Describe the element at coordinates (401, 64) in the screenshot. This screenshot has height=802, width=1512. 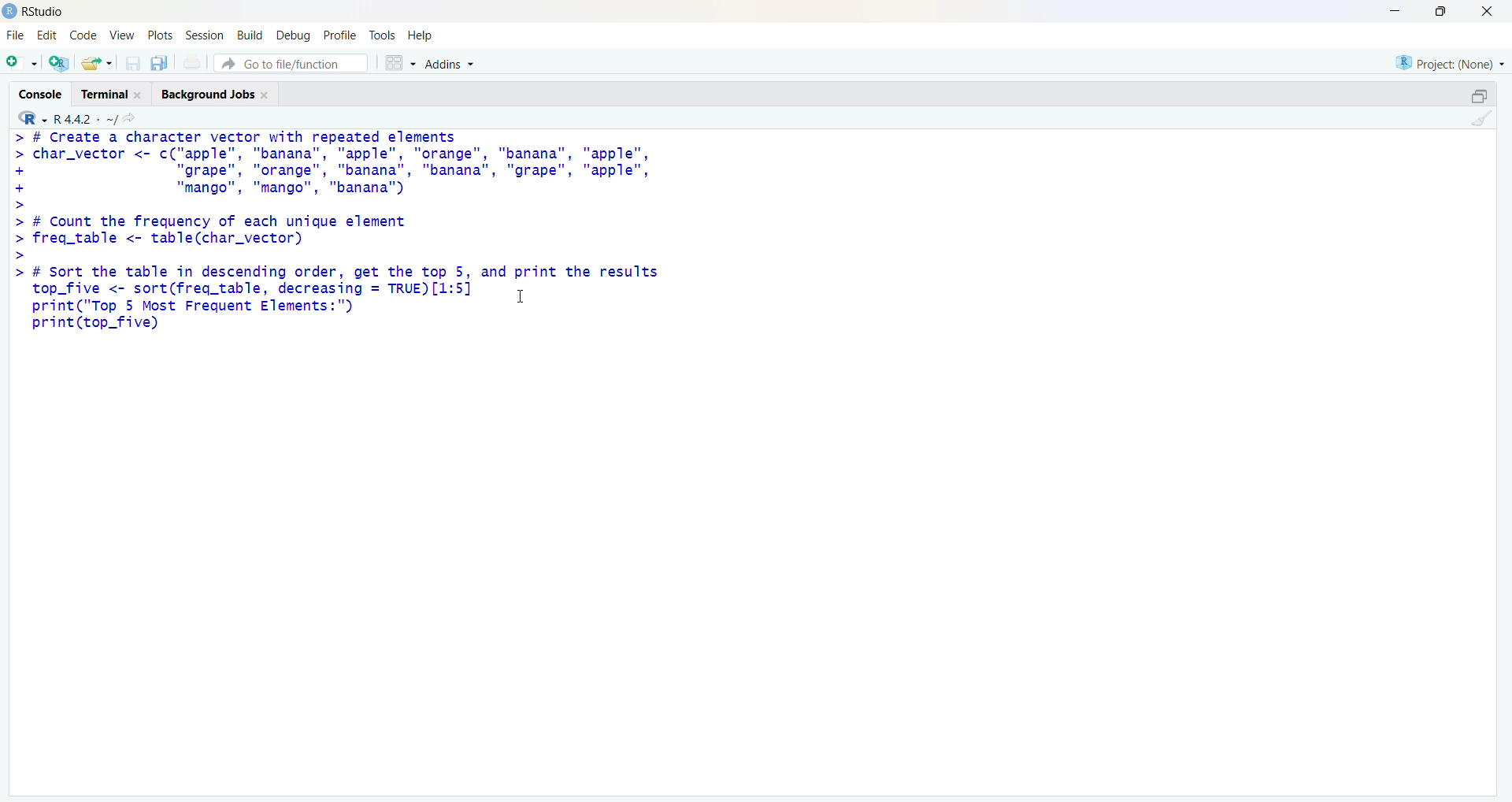
I see `Workspace panes` at that location.